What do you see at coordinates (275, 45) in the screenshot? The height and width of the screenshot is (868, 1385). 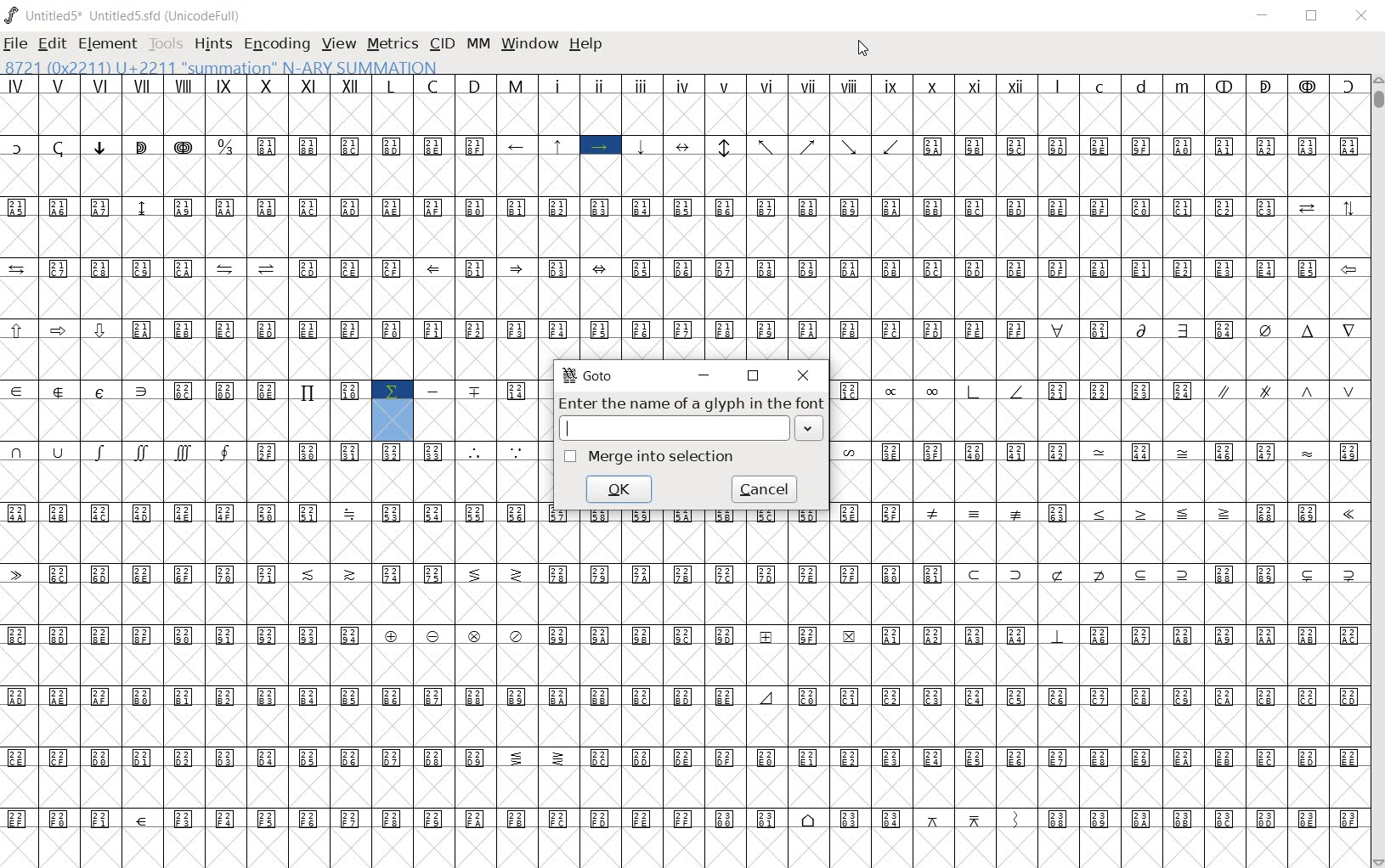 I see `ENCODING` at bounding box center [275, 45].